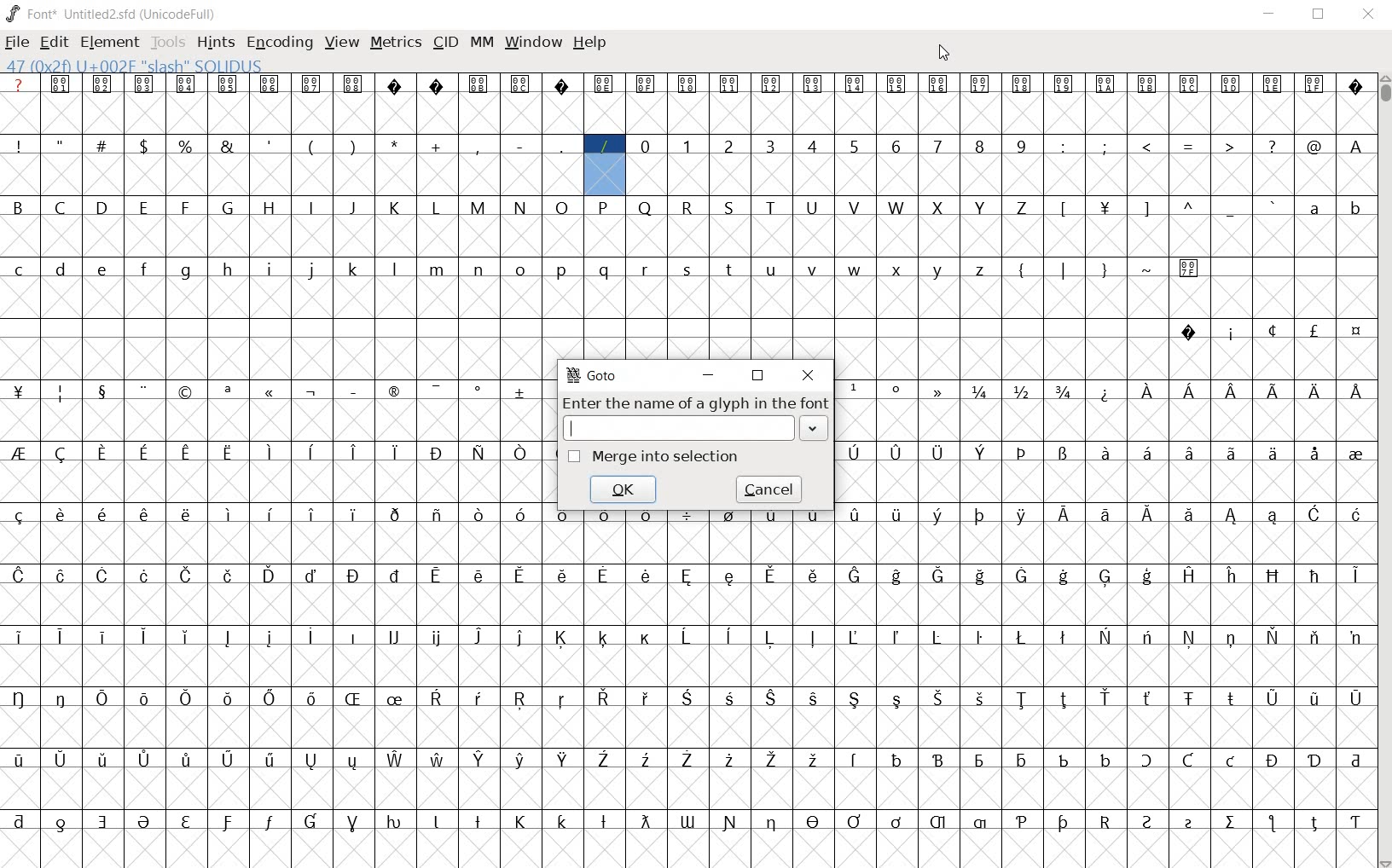 The image size is (1392, 868). Describe the element at coordinates (18, 698) in the screenshot. I see `glyph` at that location.